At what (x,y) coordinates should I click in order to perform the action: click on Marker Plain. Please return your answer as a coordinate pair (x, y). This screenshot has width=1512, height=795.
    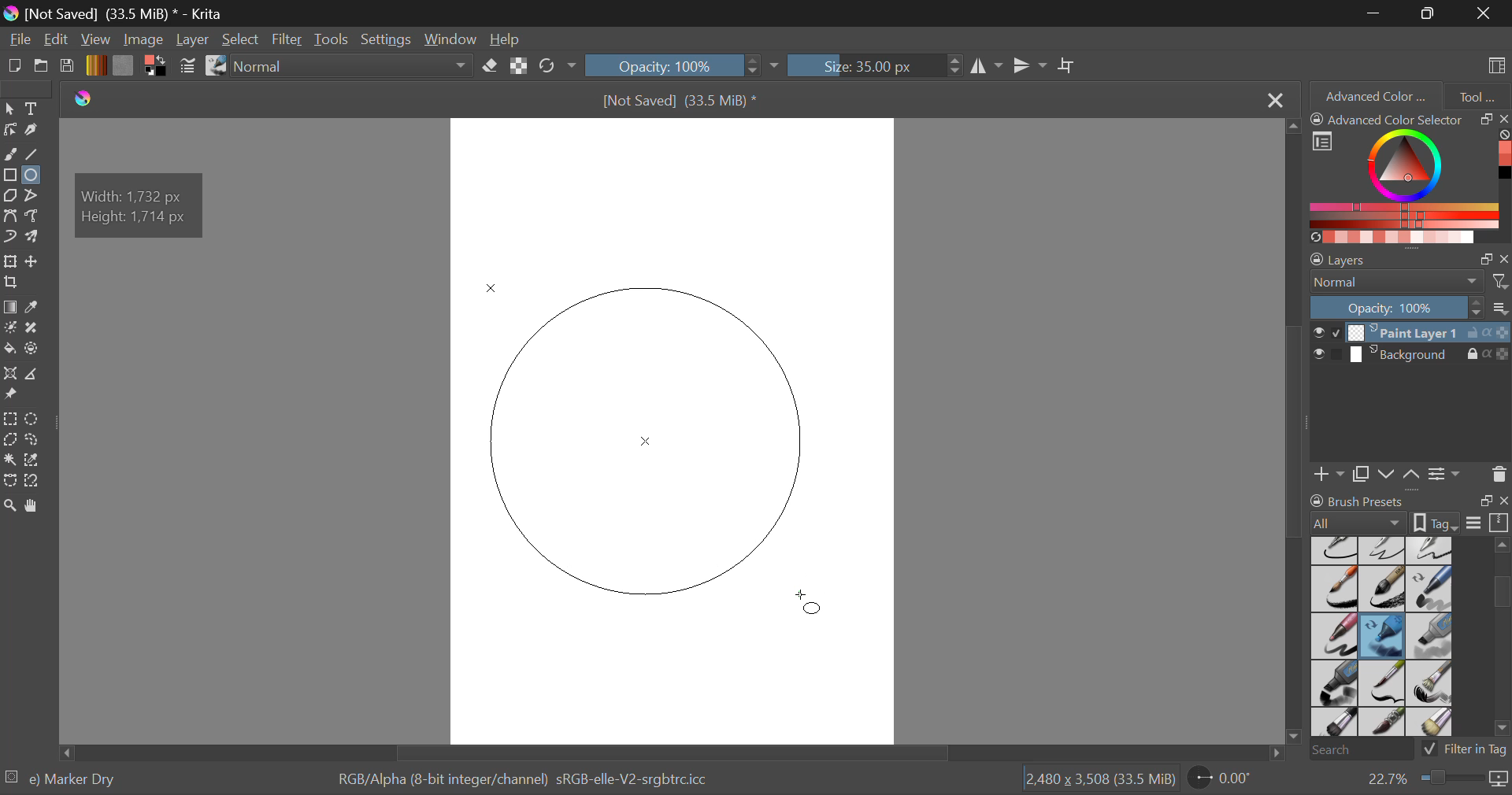
    Looking at the image, I should click on (1334, 684).